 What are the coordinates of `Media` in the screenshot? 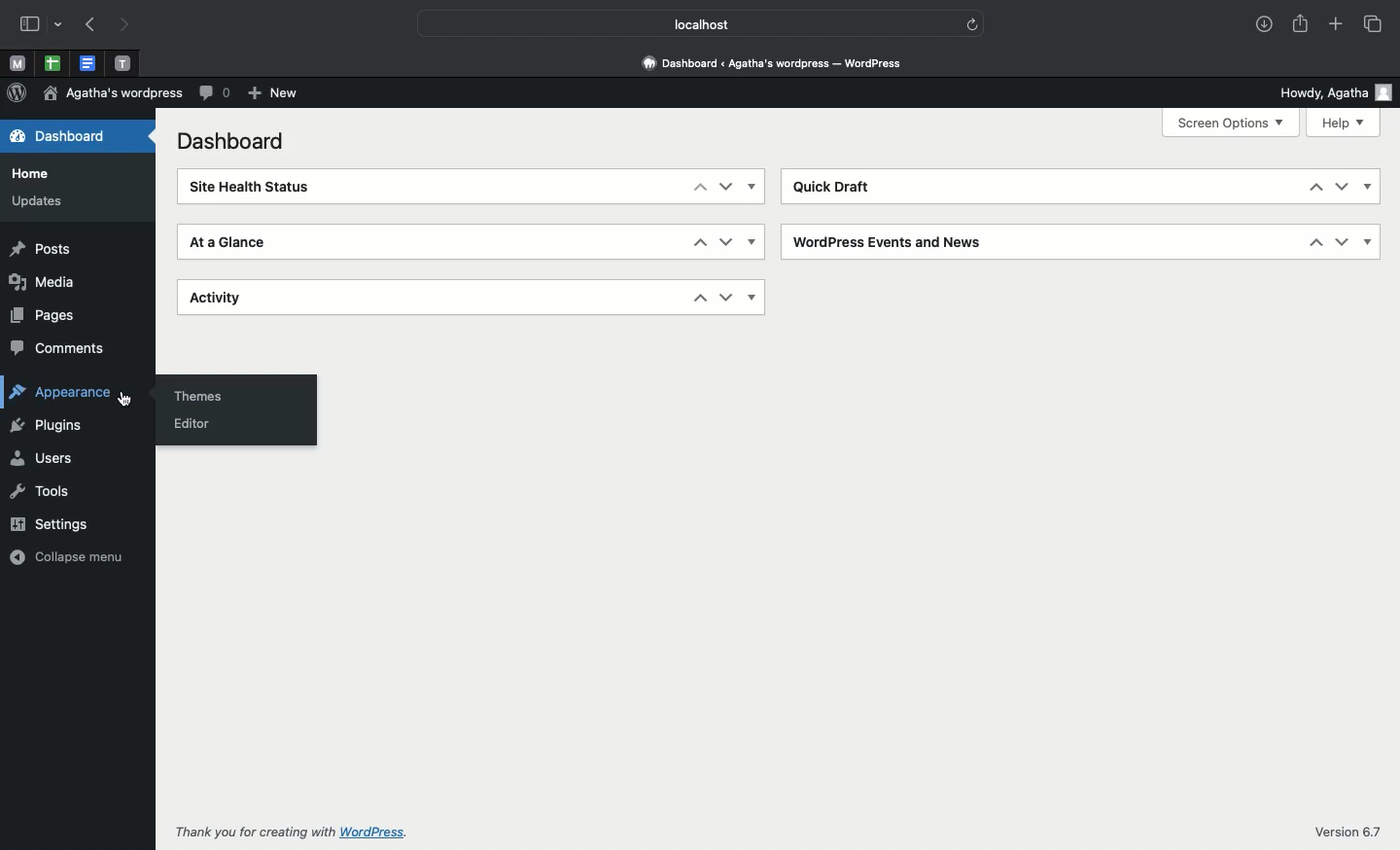 It's located at (43, 282).